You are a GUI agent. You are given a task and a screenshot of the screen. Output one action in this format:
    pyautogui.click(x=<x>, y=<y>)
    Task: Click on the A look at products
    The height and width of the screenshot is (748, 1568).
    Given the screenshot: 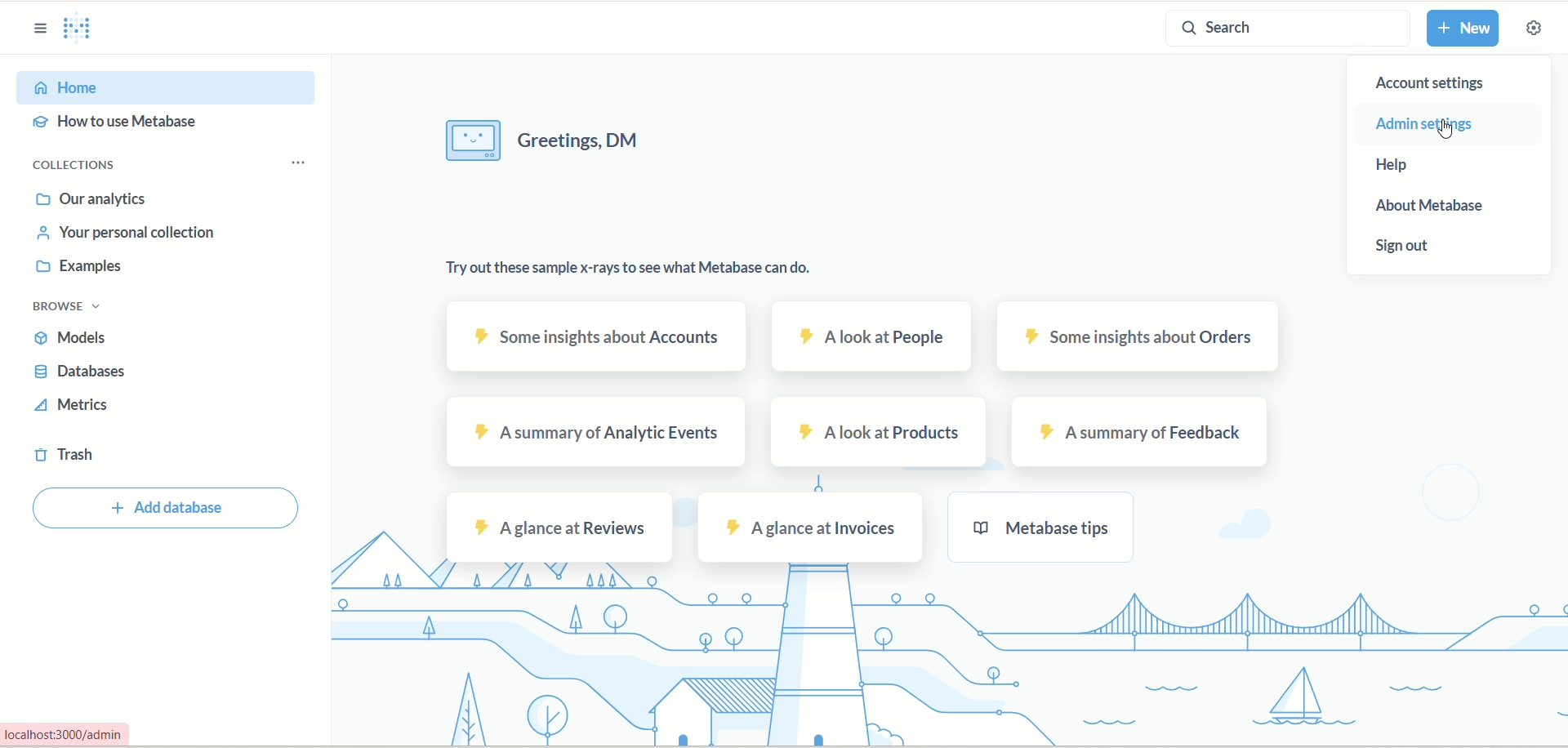 What is the action you would take?
    pyautogui.click(x=880, y=434)
    